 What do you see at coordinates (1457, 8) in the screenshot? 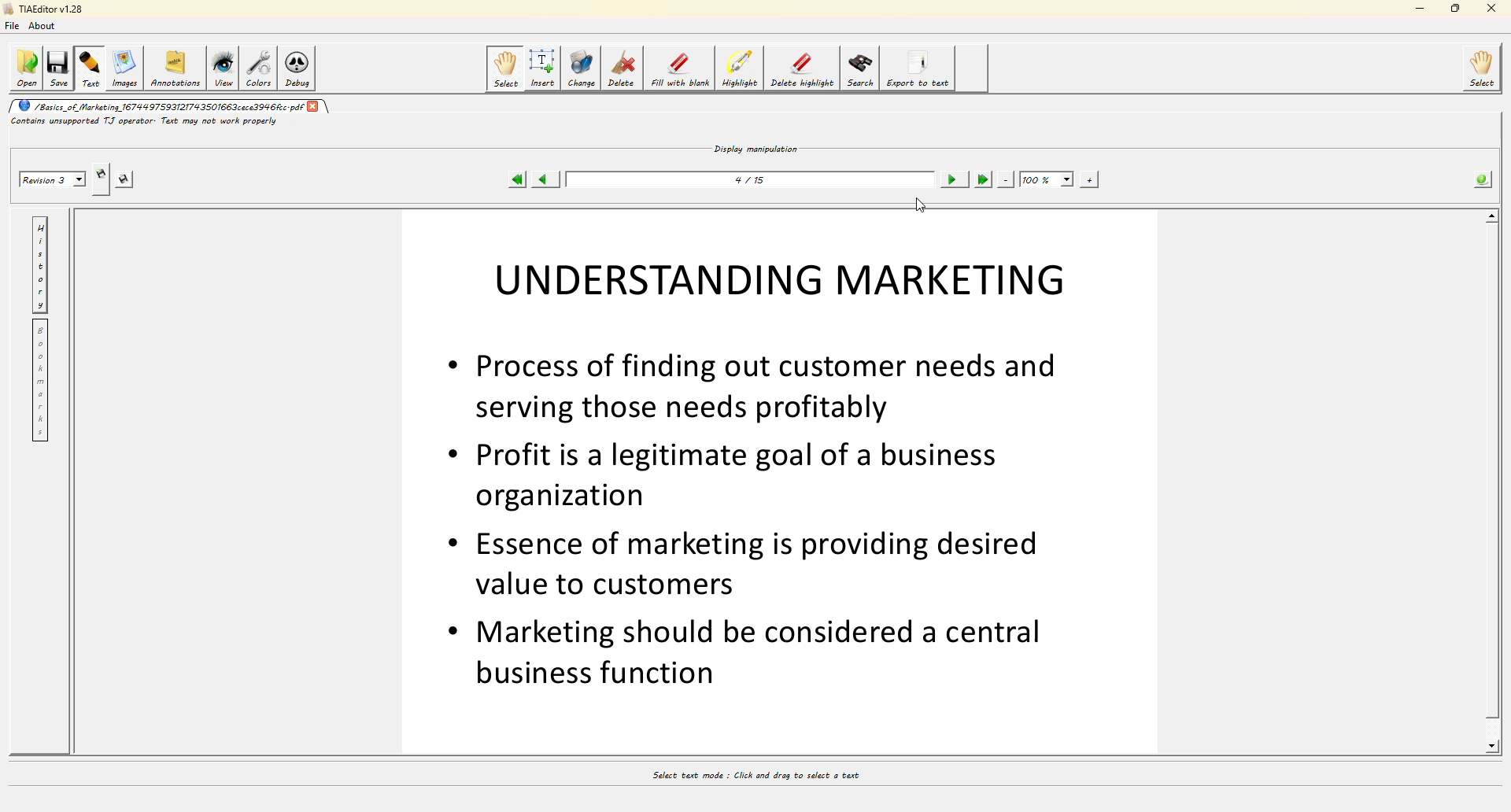
I see `maximize` at bounding box center [1457, 8].